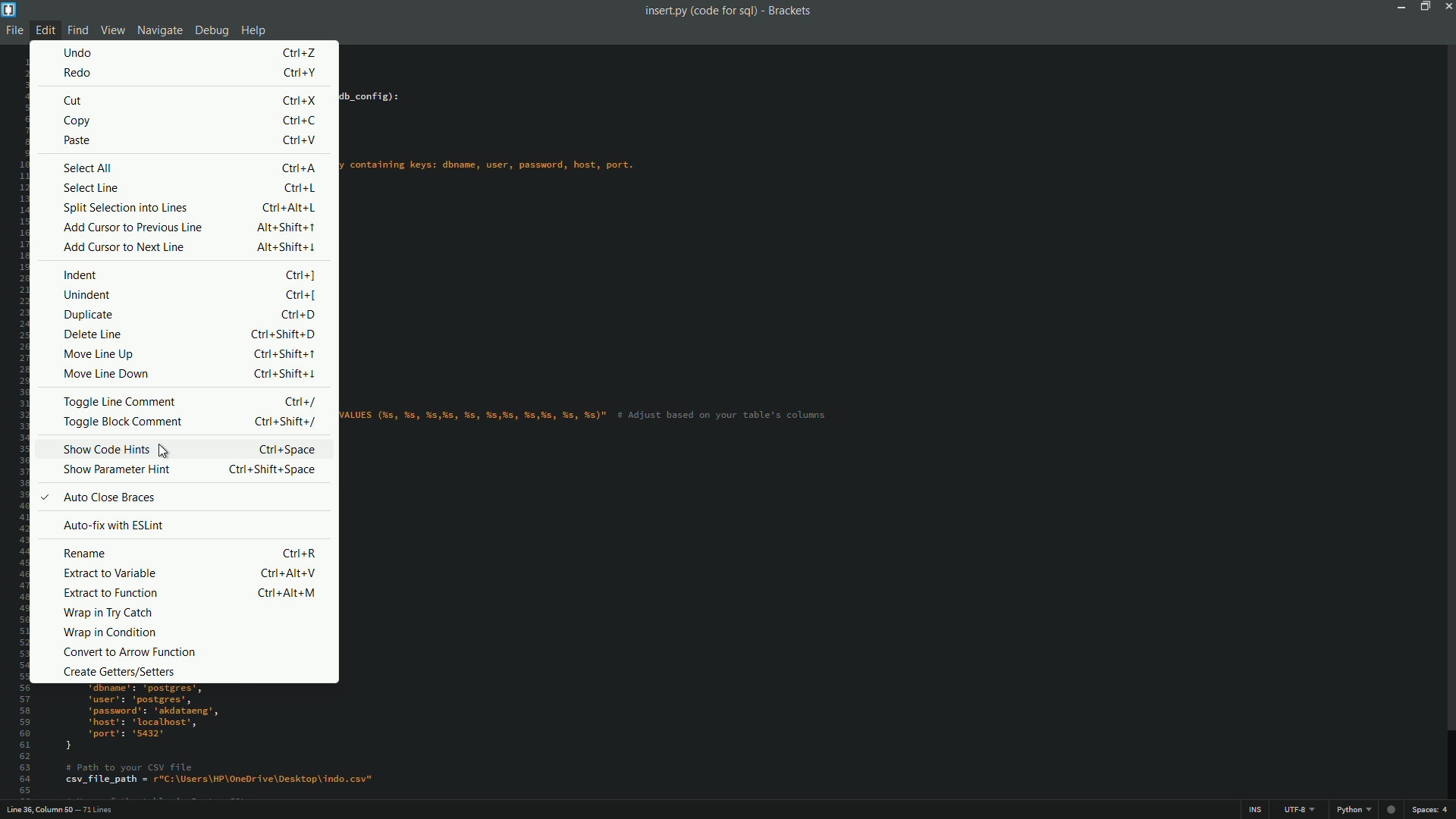  I want to click on help menu, so click(256, 30).